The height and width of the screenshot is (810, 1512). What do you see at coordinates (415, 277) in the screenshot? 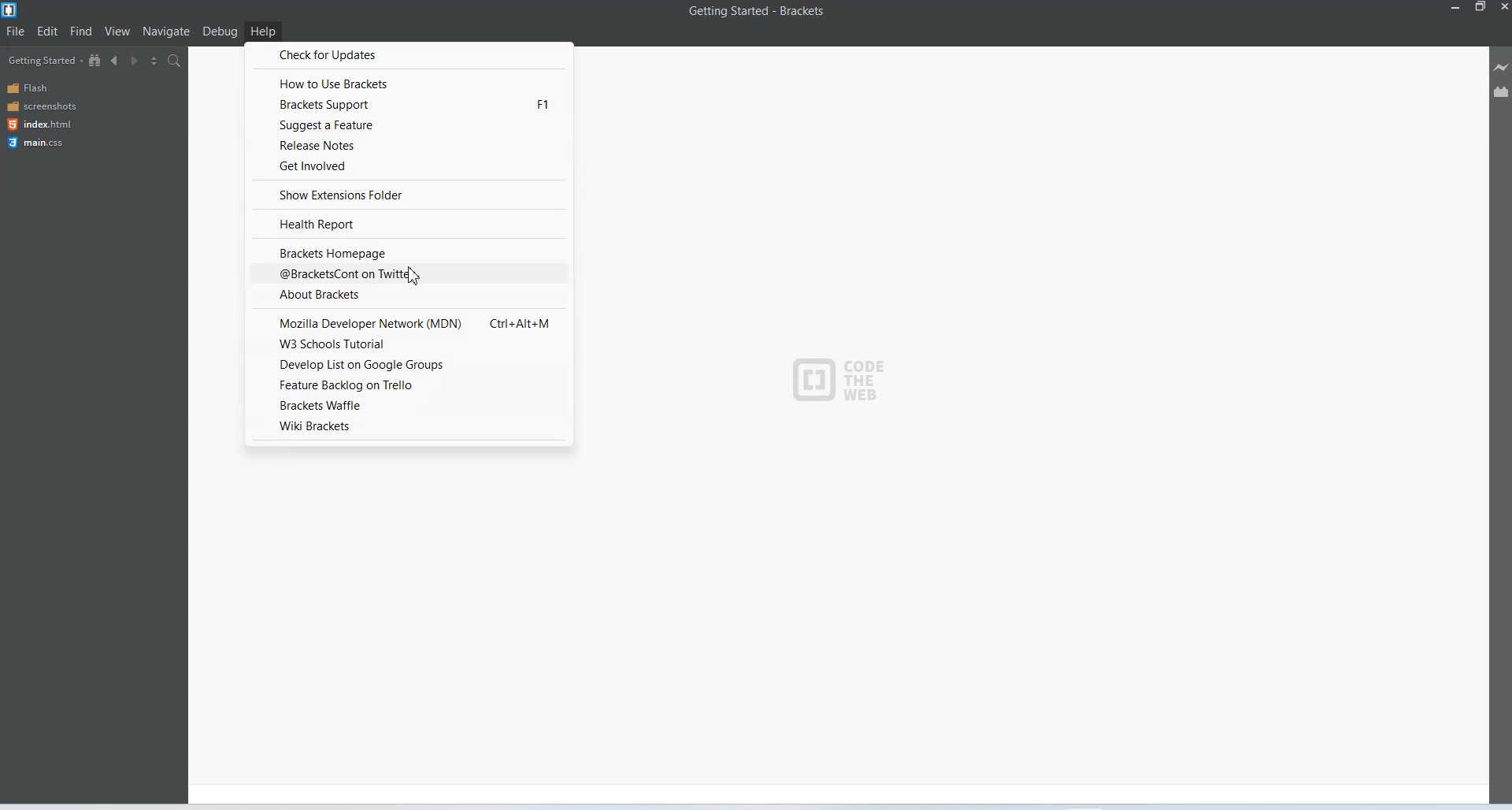
I see `Cursor` at bounding box center [415, 277].